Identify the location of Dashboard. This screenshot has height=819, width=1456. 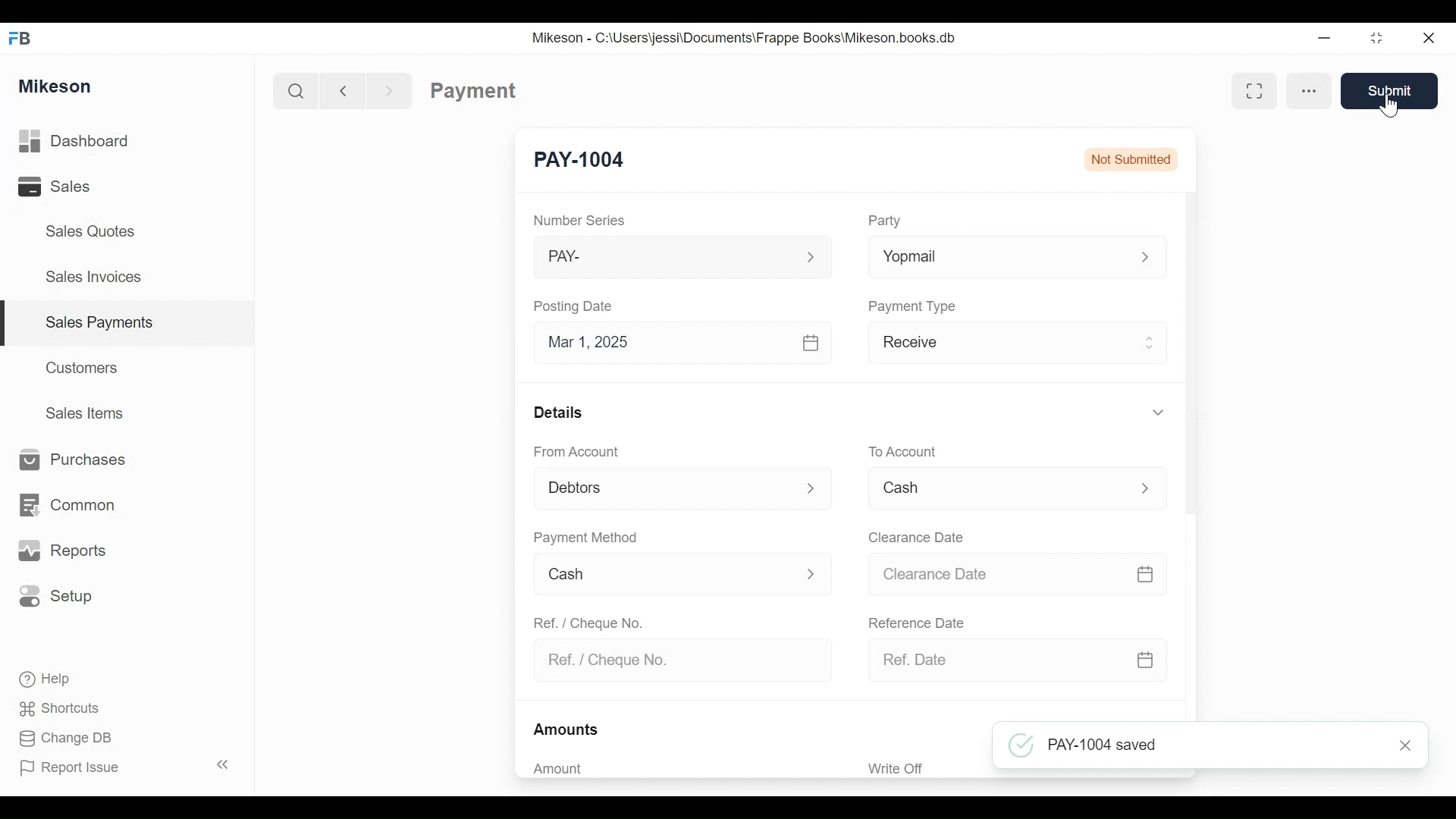
(99, 142).